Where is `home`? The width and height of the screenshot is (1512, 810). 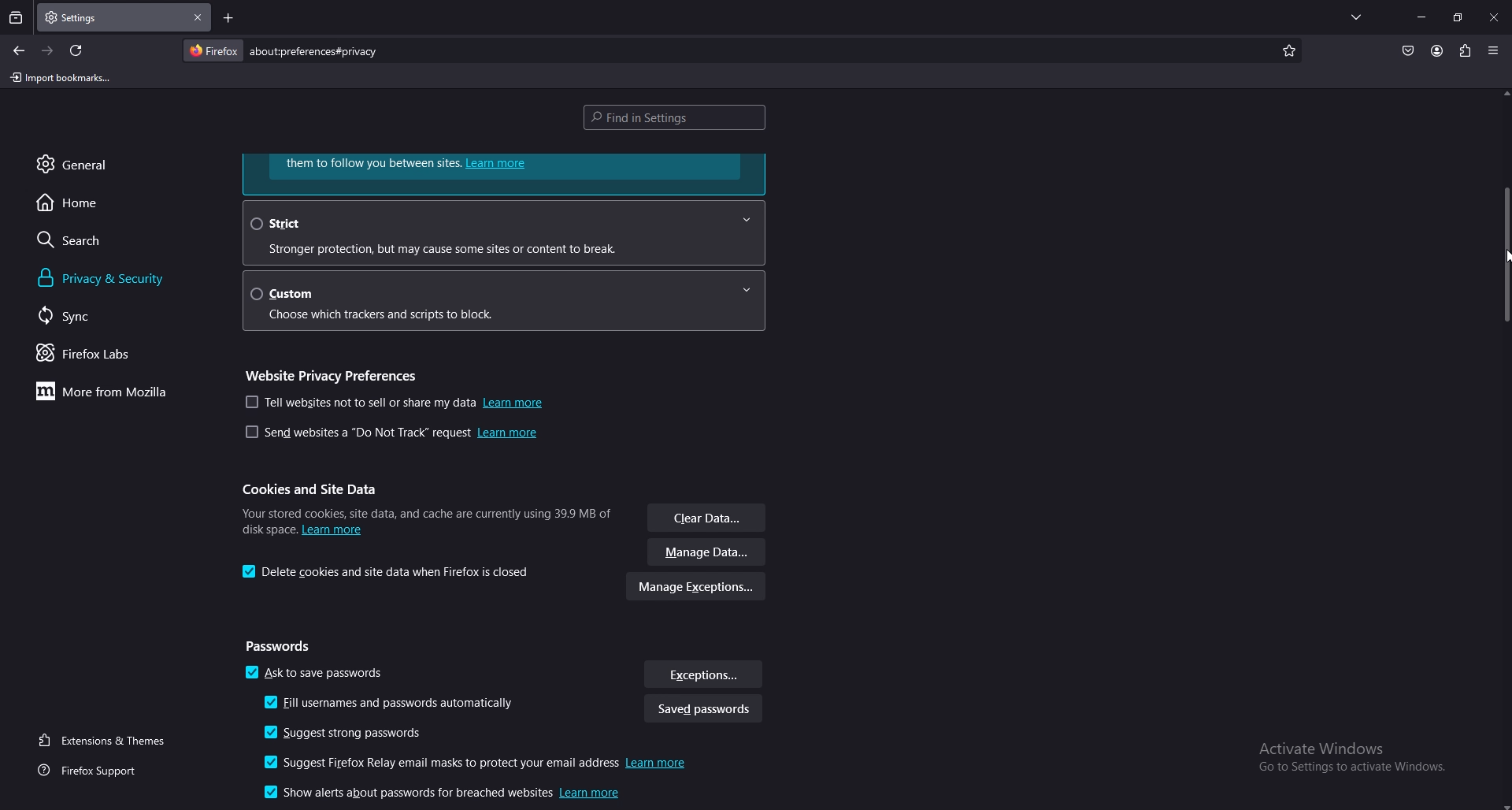
home is located at coordinates (91, 203).